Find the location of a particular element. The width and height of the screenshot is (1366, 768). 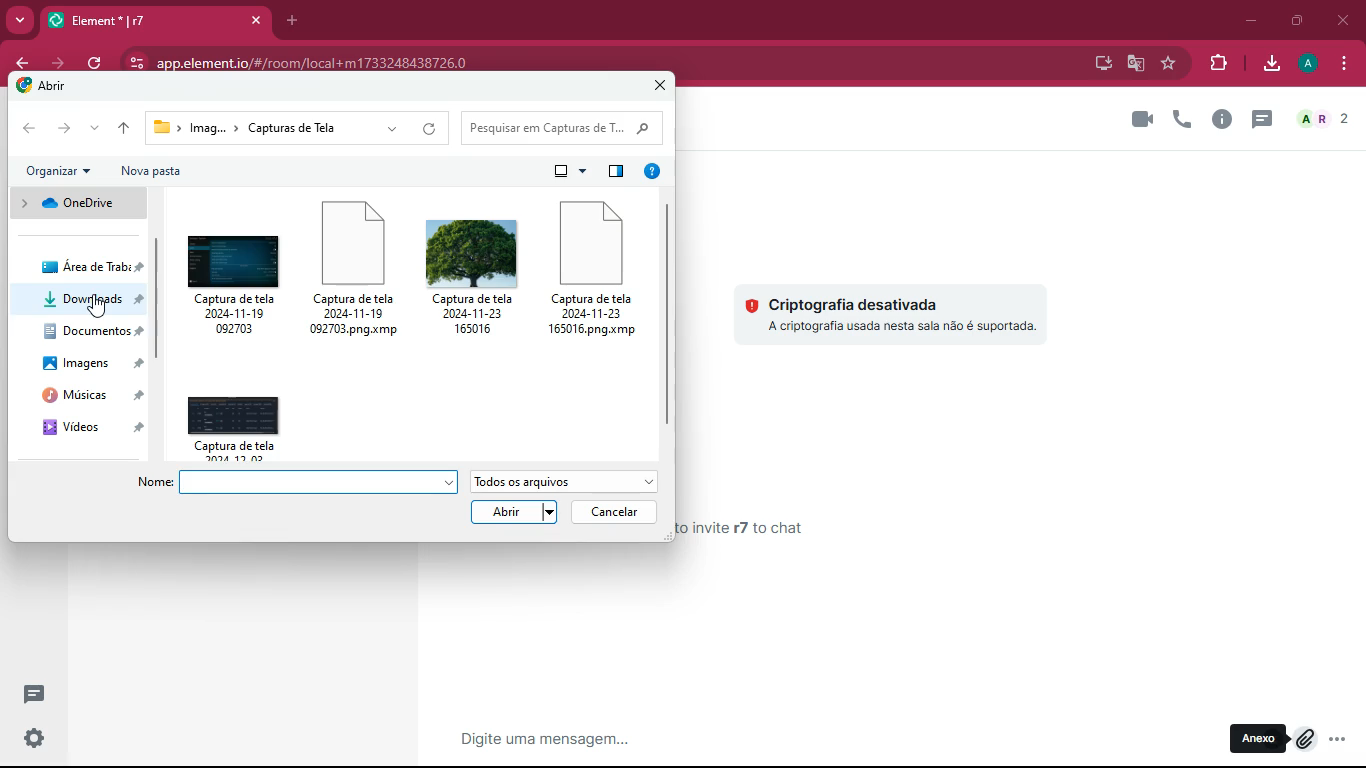

videocall is located at coordinates (1142, 118).